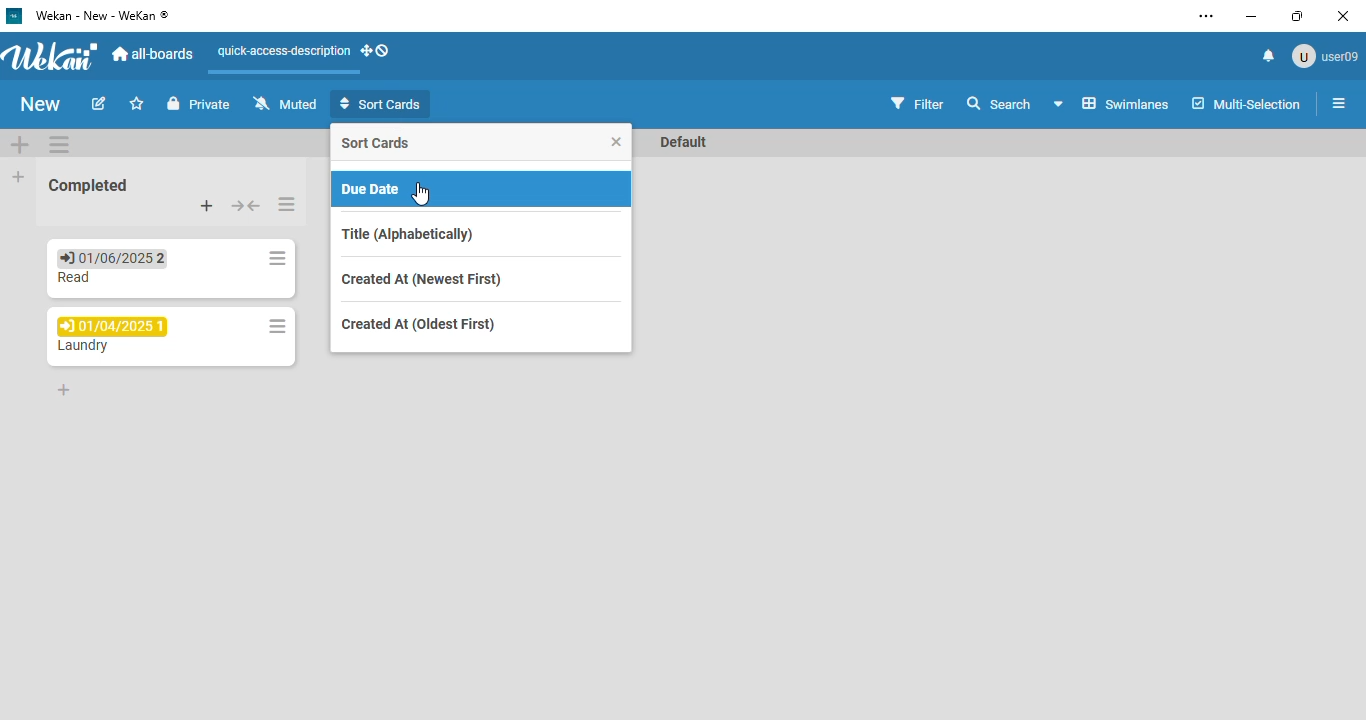 Image resolution: width=1366 pixels, height=720 pixels. What do you see at coordinates (1343, 16) in the screenshot?
I see `close` at bounding box center [1343, 16].